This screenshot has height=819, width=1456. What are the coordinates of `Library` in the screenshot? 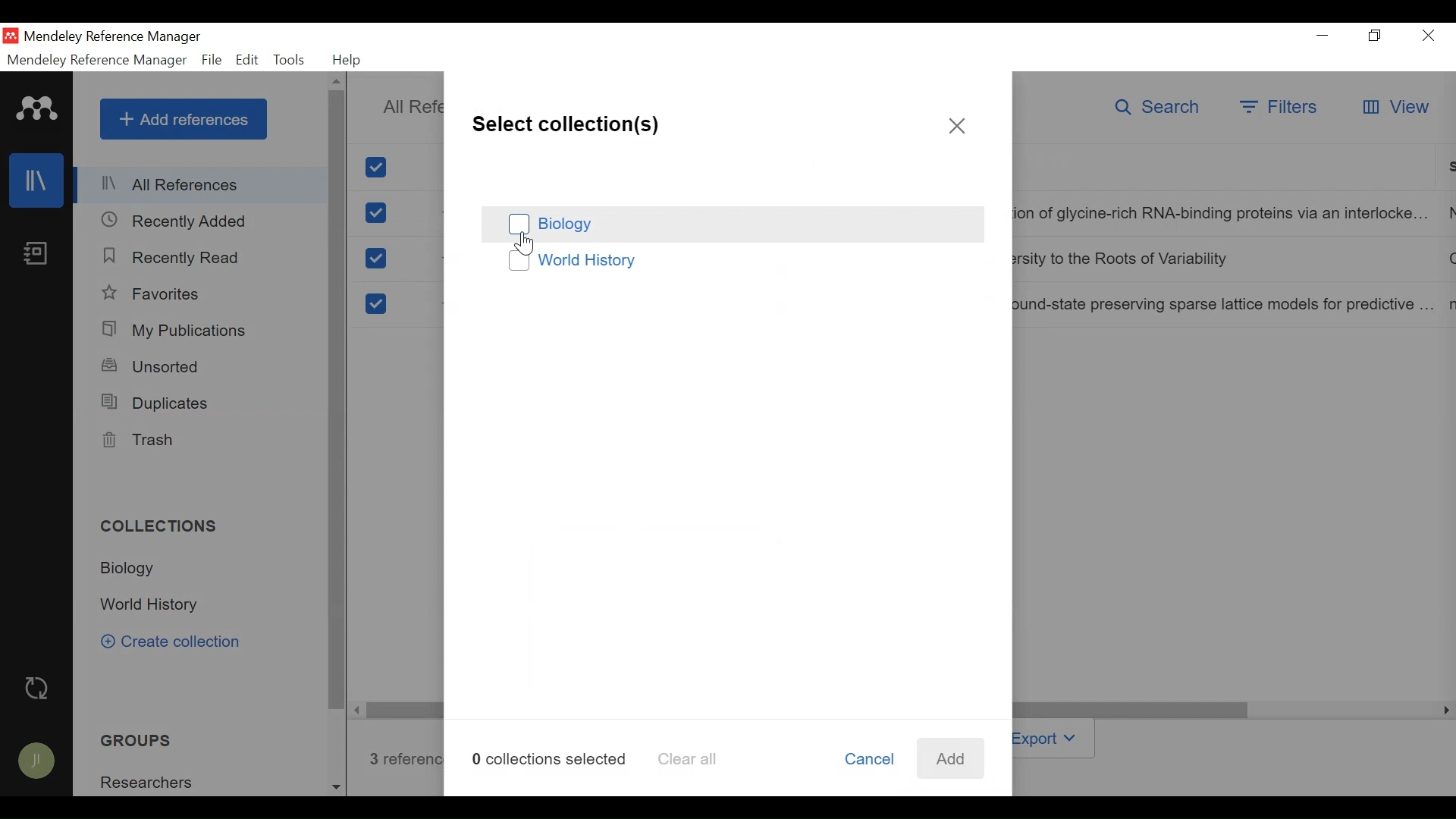 It's located at (36, 180).